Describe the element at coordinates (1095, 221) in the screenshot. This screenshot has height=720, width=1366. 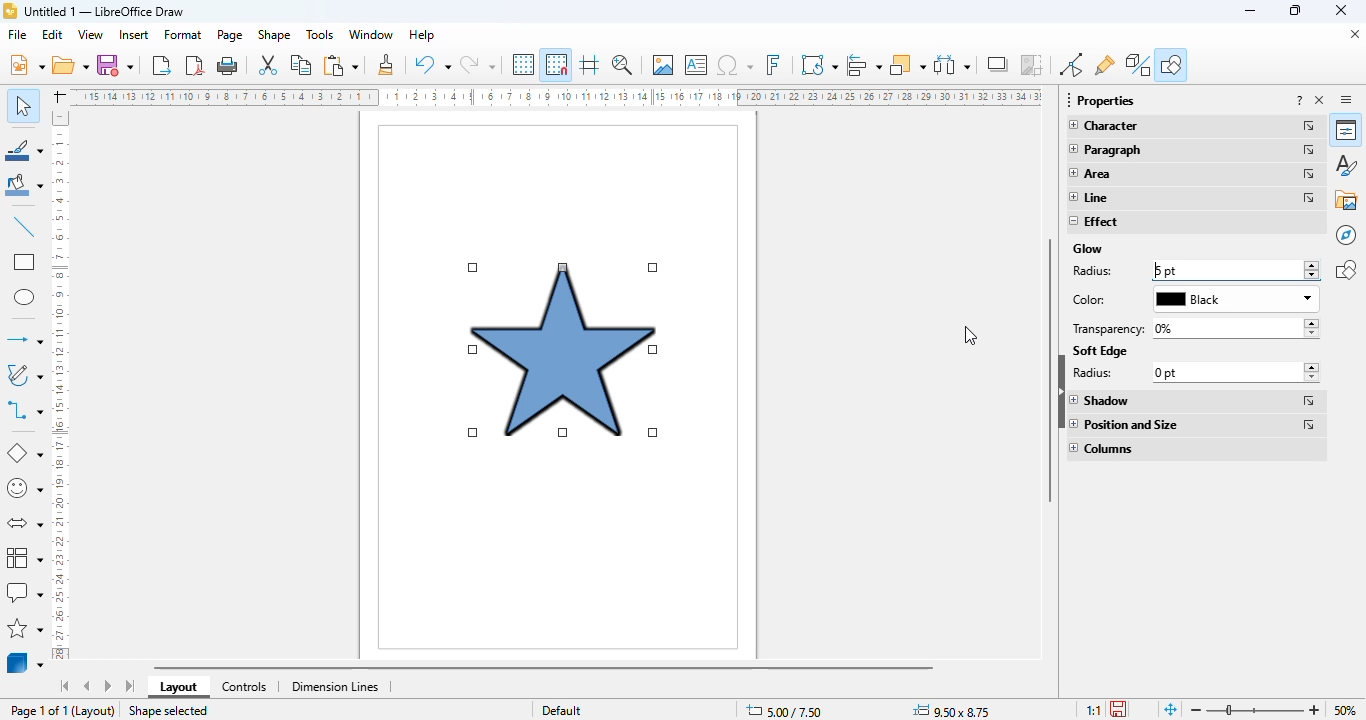
I see `effect` at that location.